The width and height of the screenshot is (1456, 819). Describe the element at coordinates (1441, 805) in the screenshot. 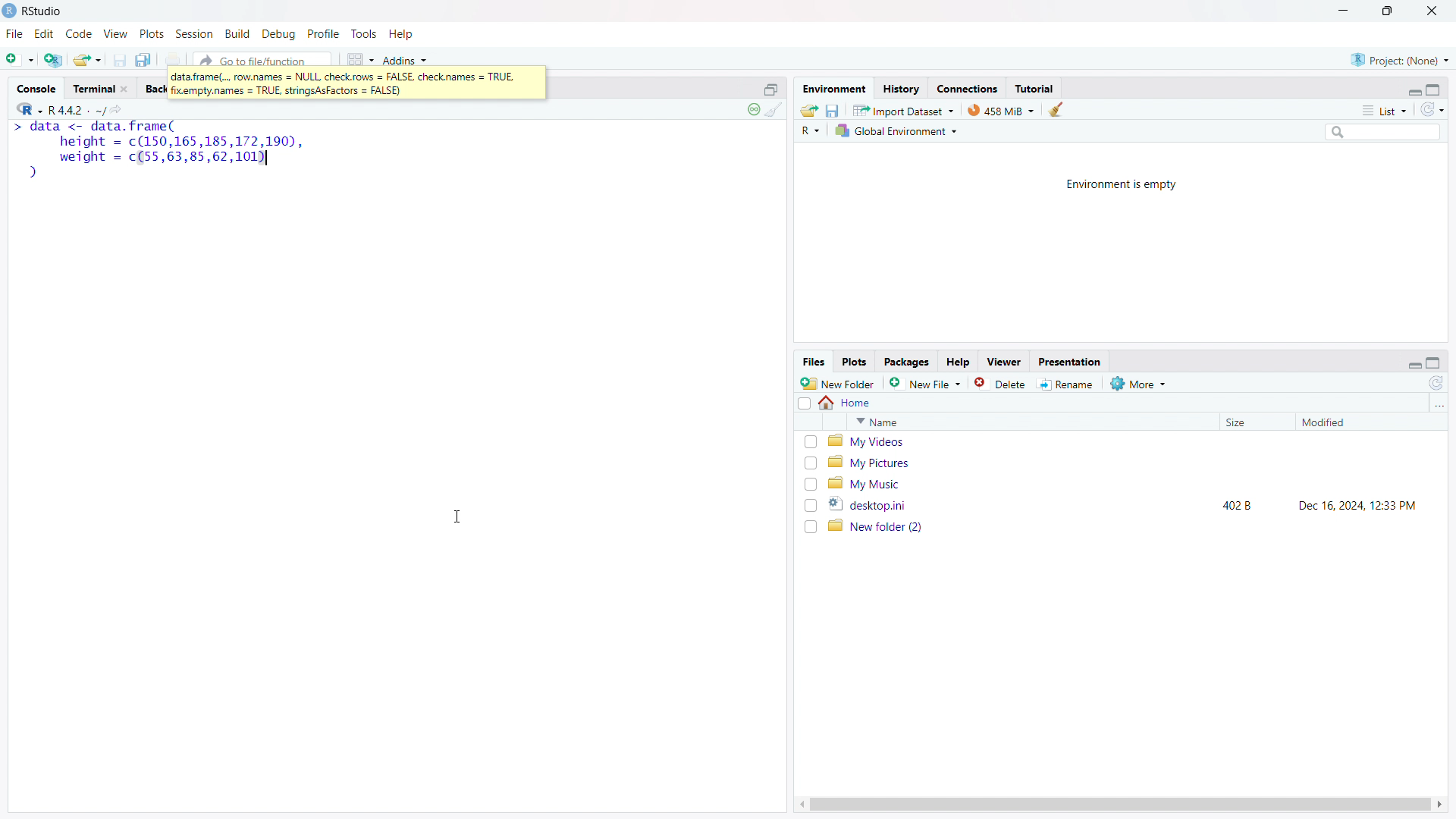

I see `scroll right` at that location.